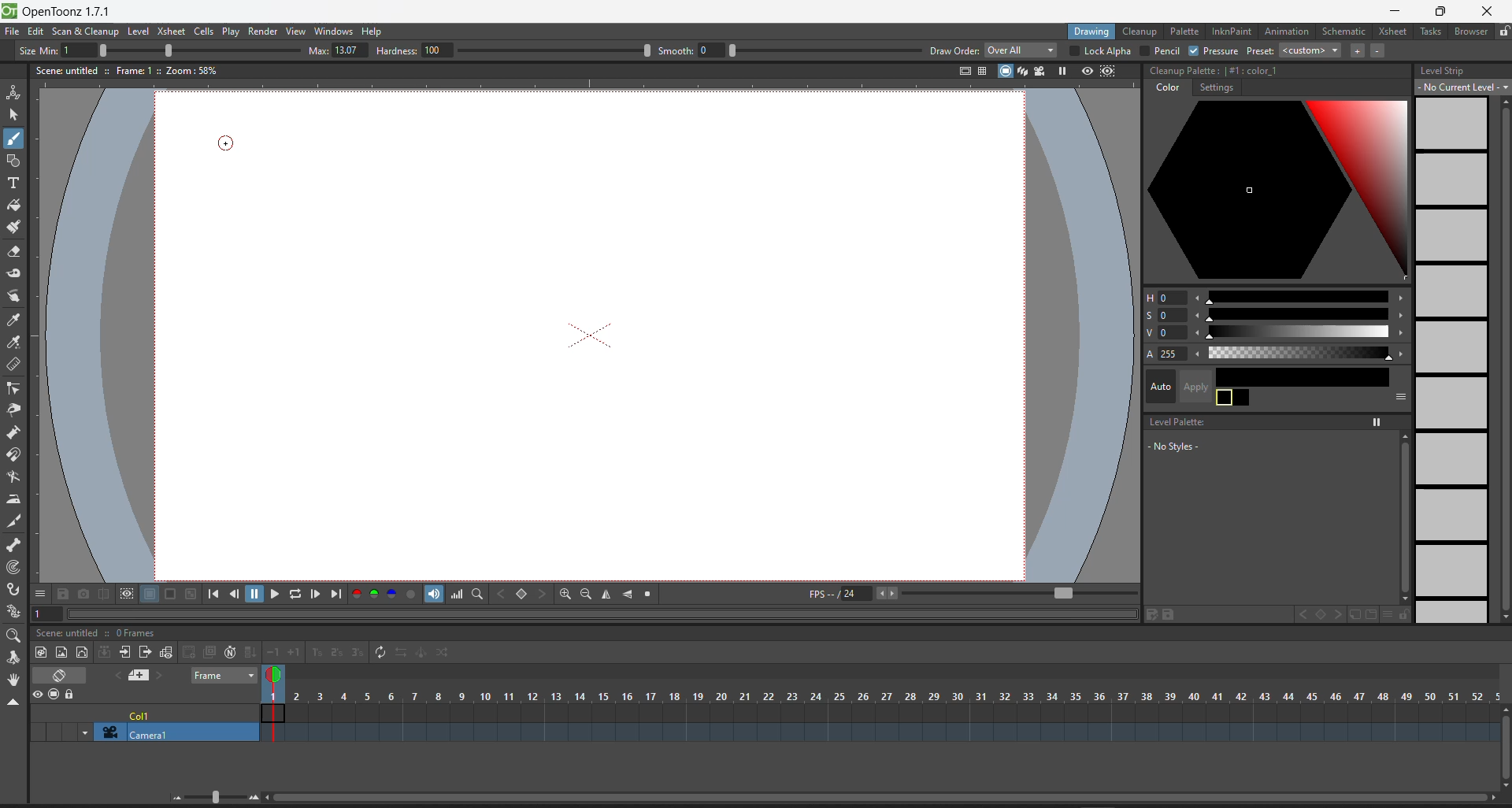  Describe the element at coordinates (375, 32) in the screenshot. I see `help` at that location.